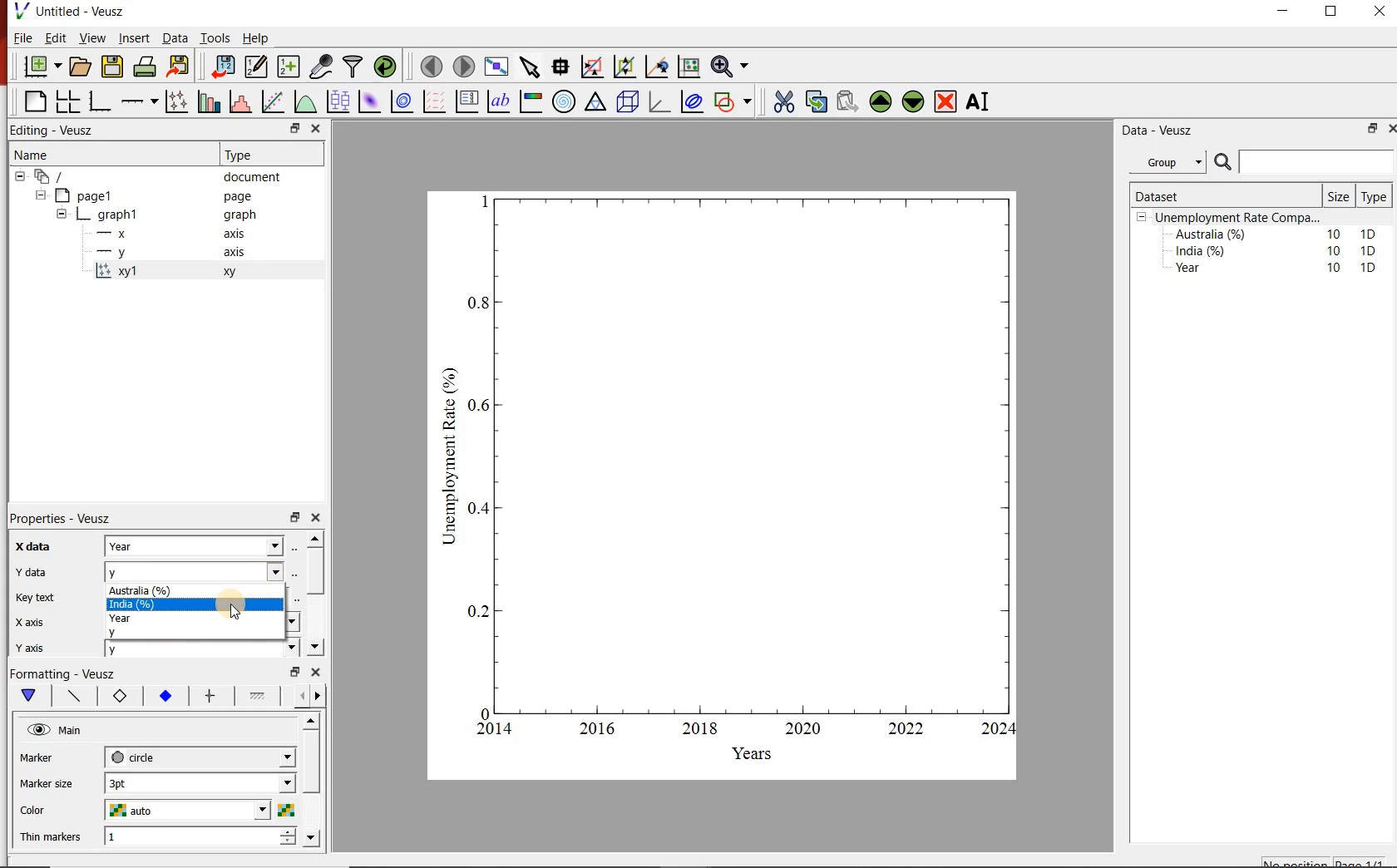 The image size is (1397, 868). I want to click on 3d scenes, so click(625, 101).